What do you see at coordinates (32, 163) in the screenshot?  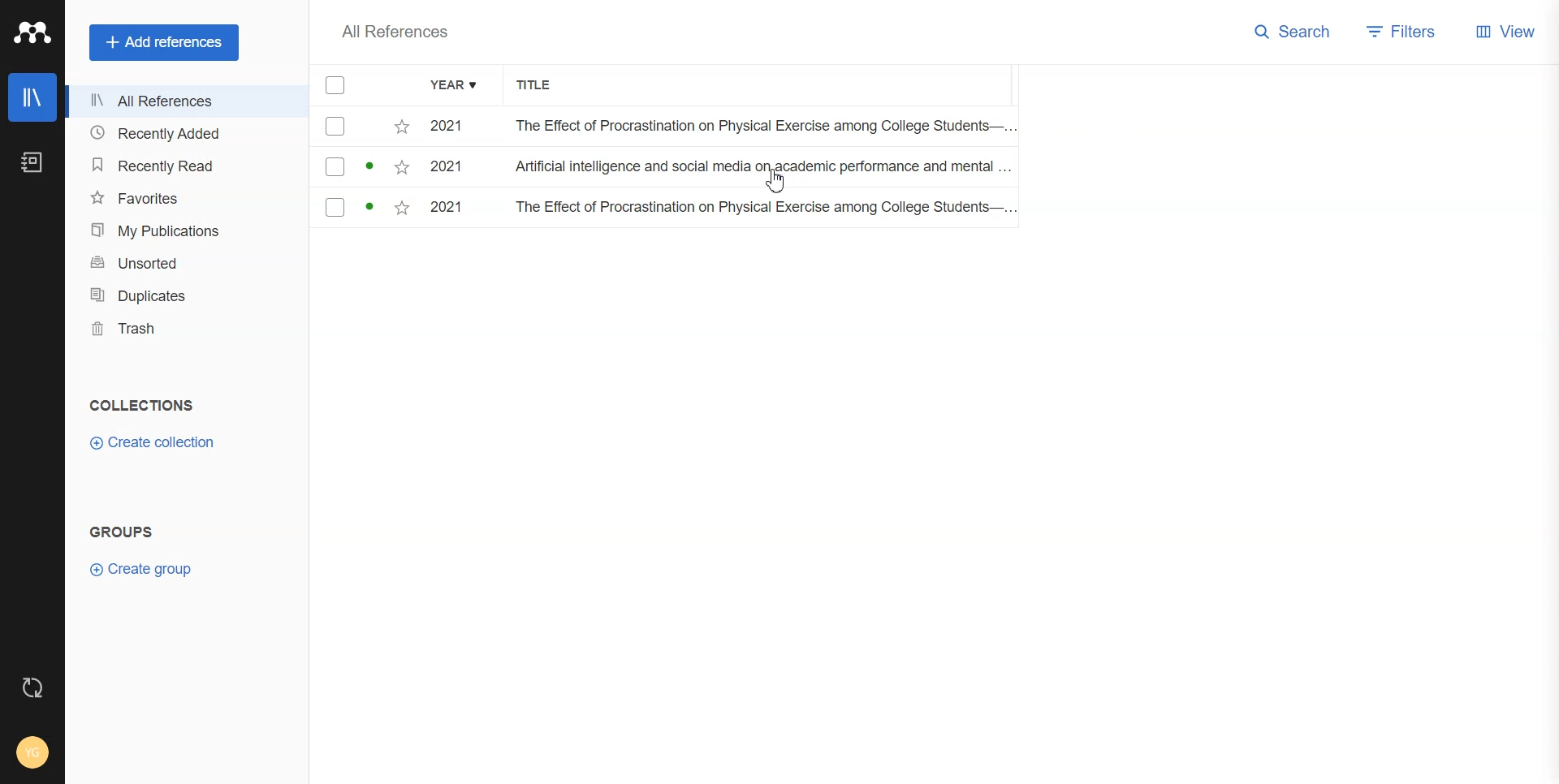 I see `Notebook` at bounding box center [32, 163].